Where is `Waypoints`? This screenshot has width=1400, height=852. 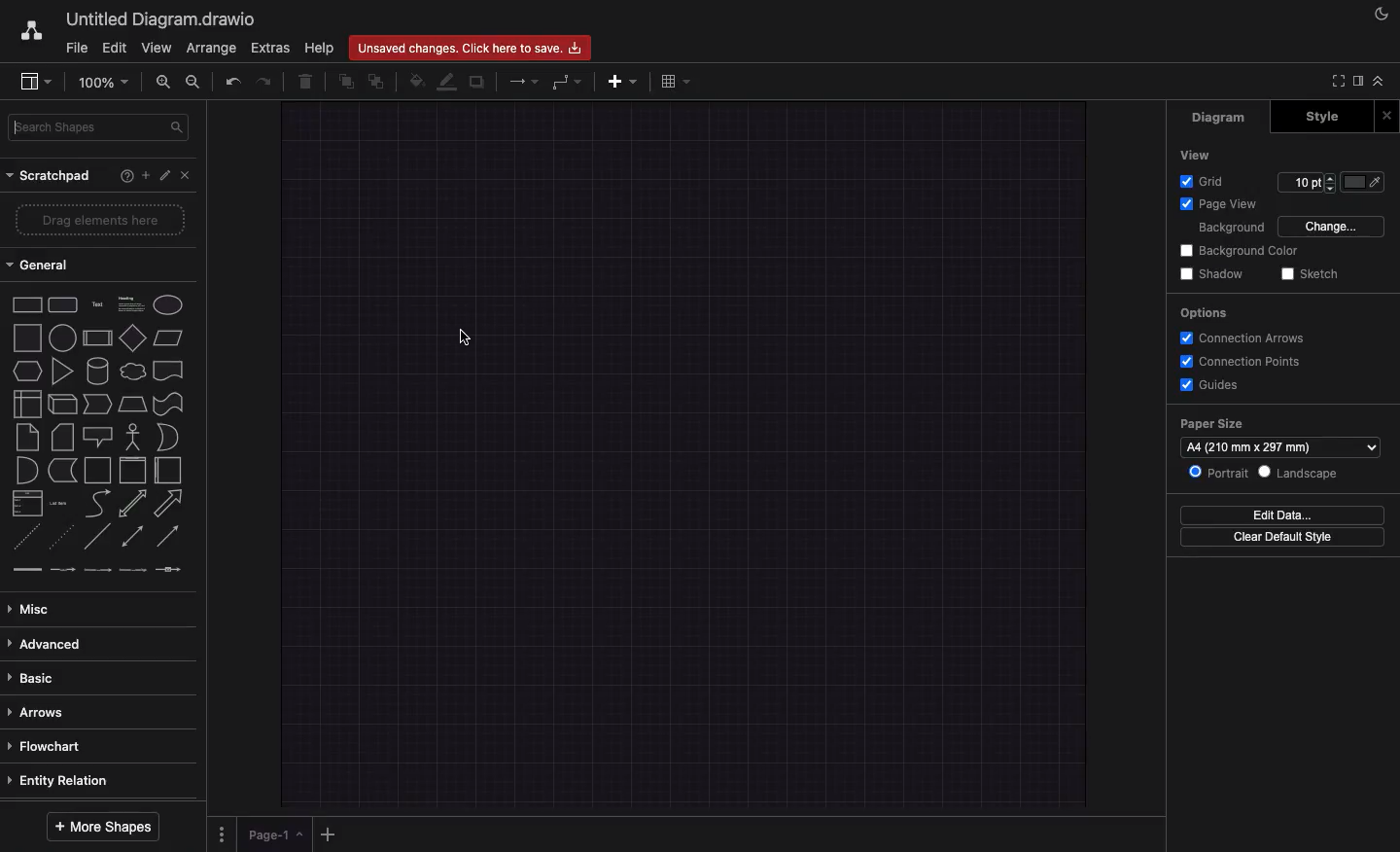 Waypoints is located at coordinates (567, 84).